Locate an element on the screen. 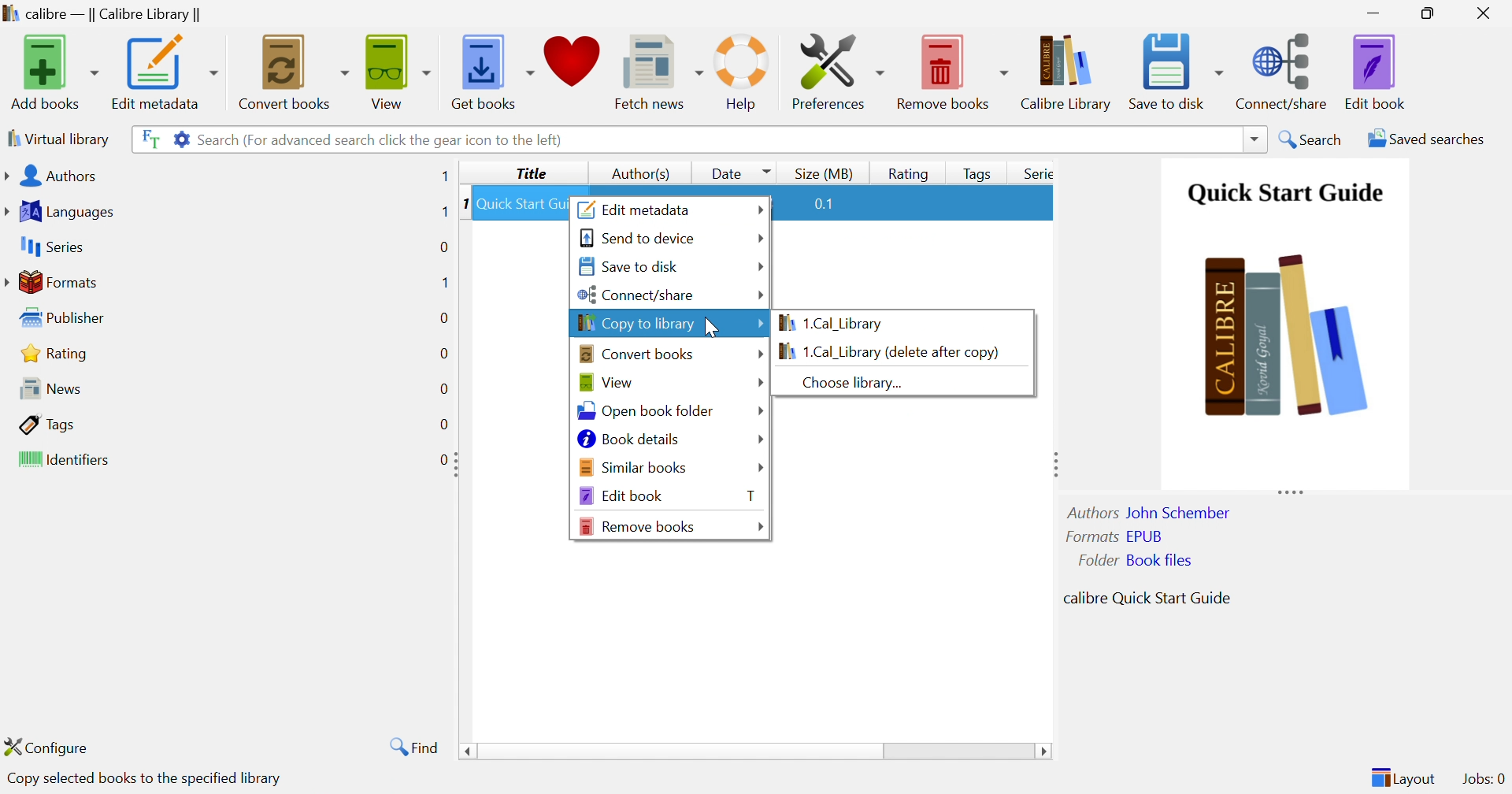  Virtual library is located at coordinates (59, 139).